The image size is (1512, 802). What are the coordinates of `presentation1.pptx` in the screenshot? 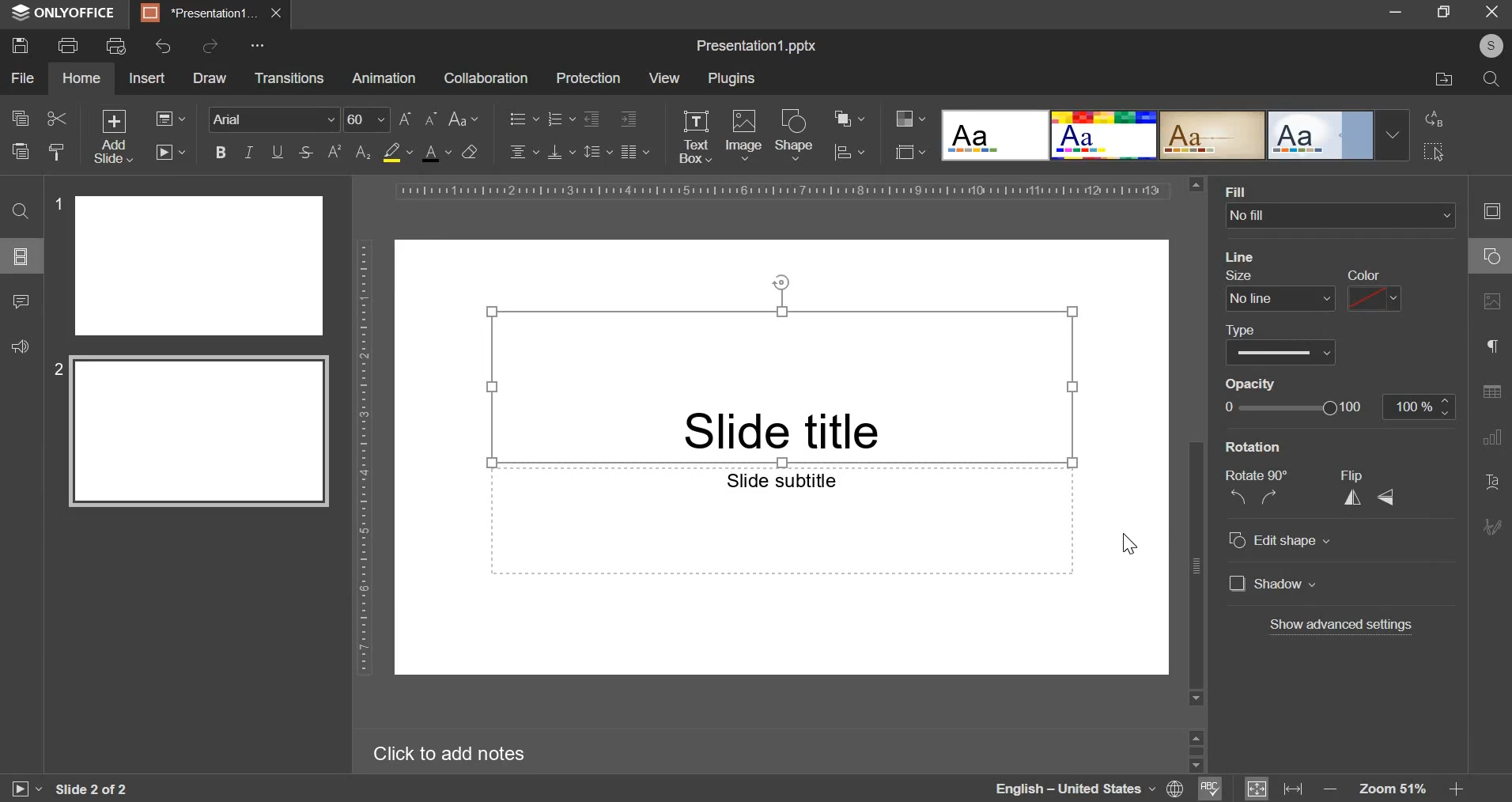 It's located at (758, 43).